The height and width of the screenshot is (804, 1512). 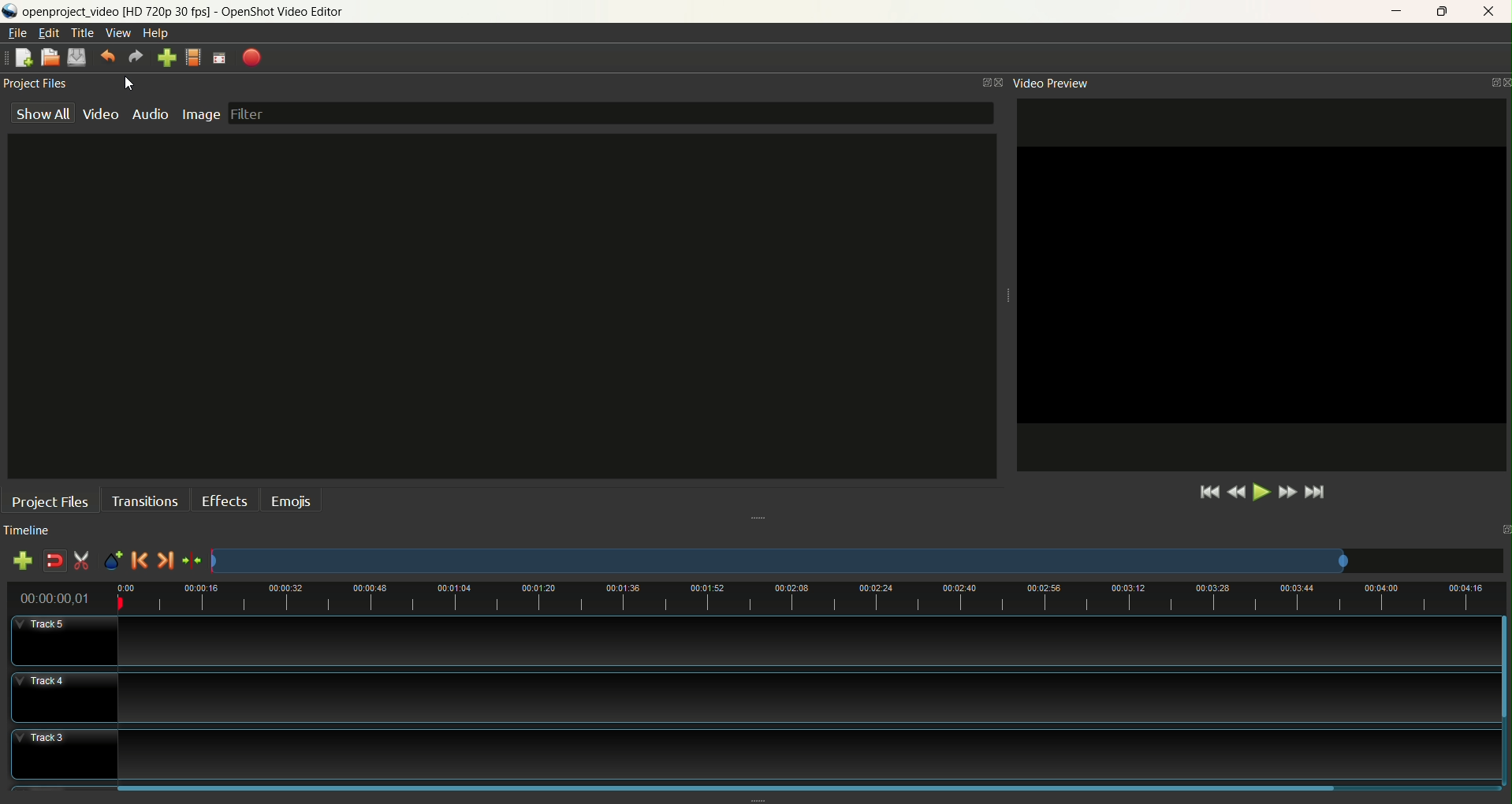 What do you see at coordinates (53, 560) in the screenshot?
I see `disable snapping` at bounding box center [53, 560].